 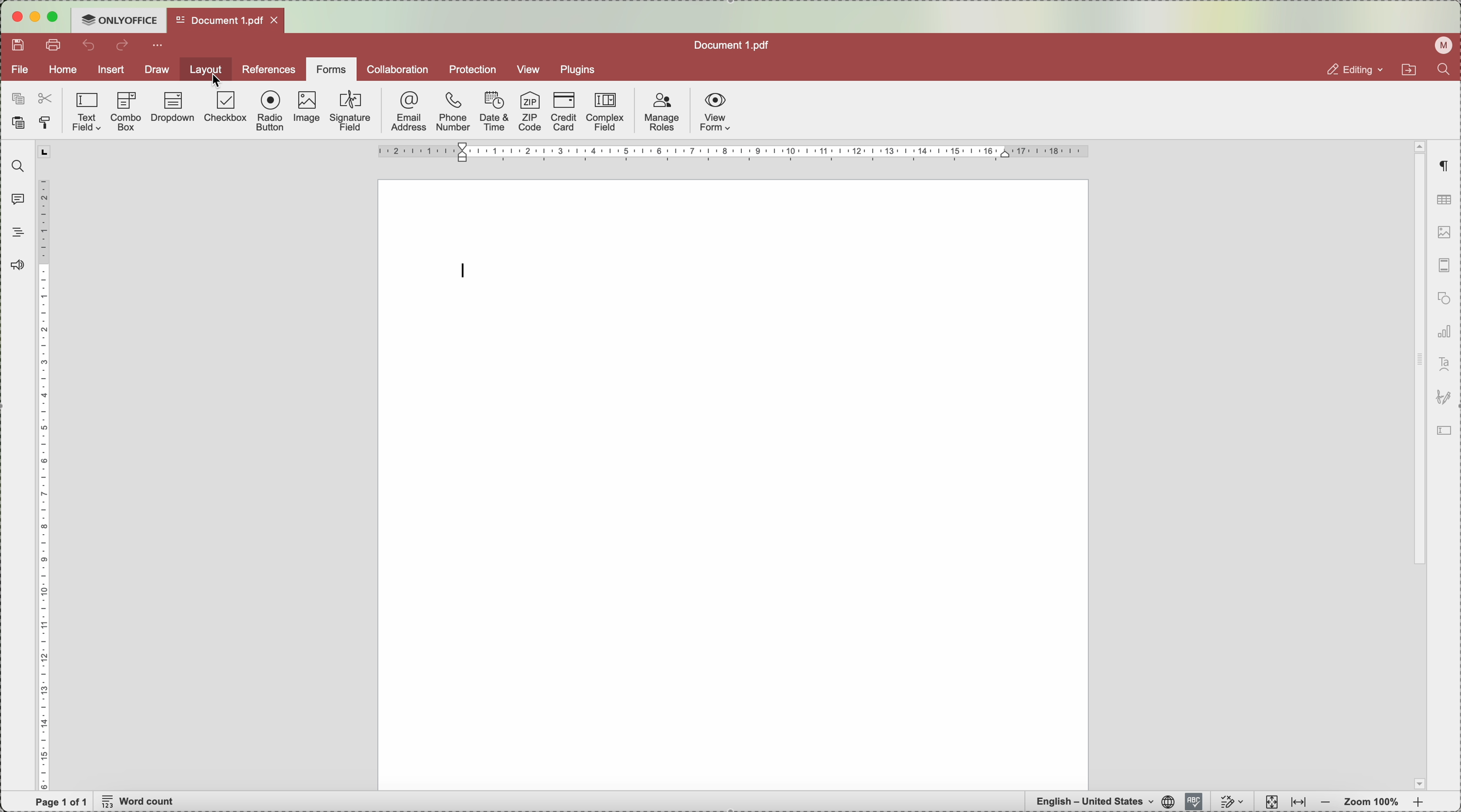 I want to click on redo, so click(x=124, y=47).